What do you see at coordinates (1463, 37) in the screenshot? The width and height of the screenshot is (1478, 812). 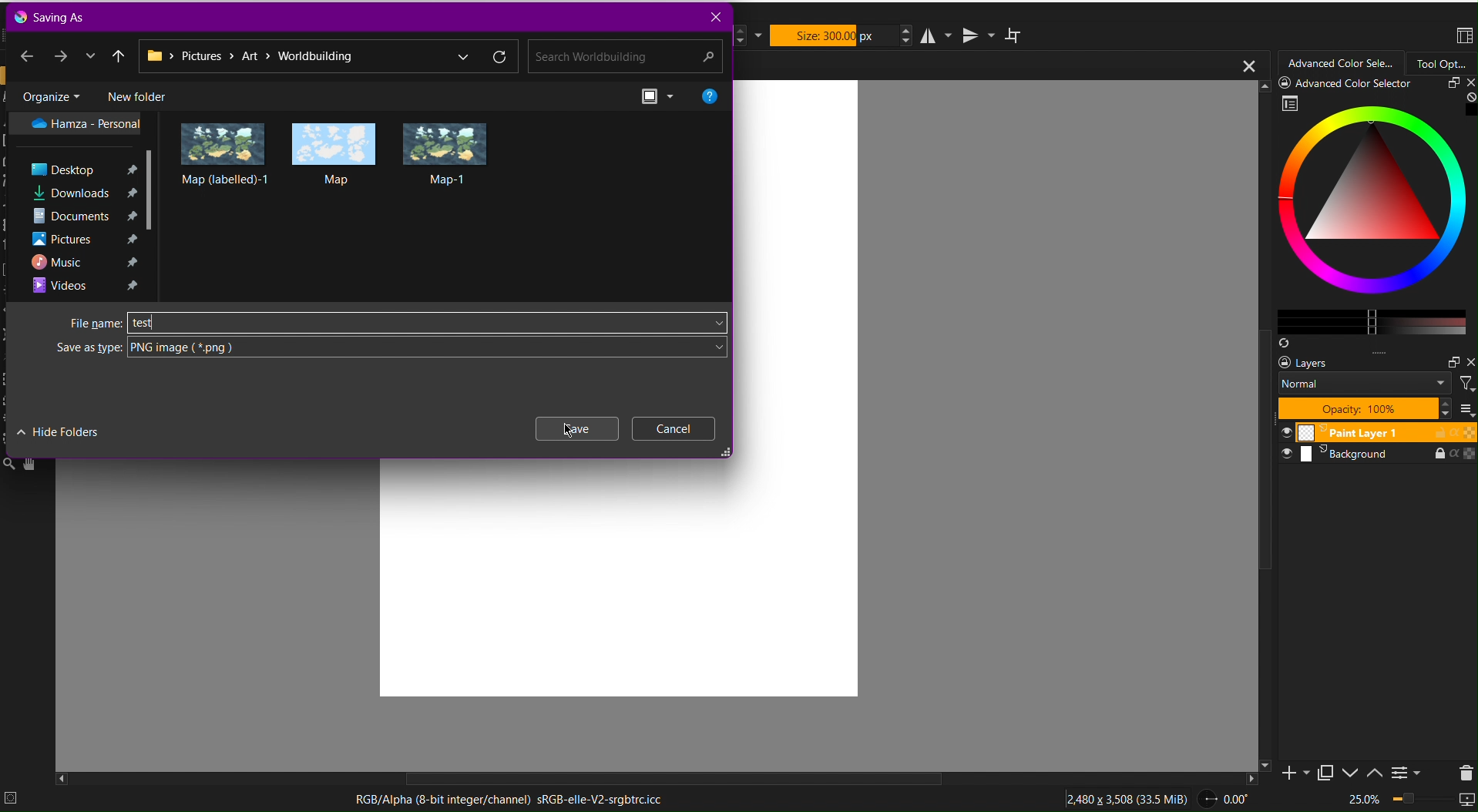 I see `Workspace` at bounding box center [1463, 37].